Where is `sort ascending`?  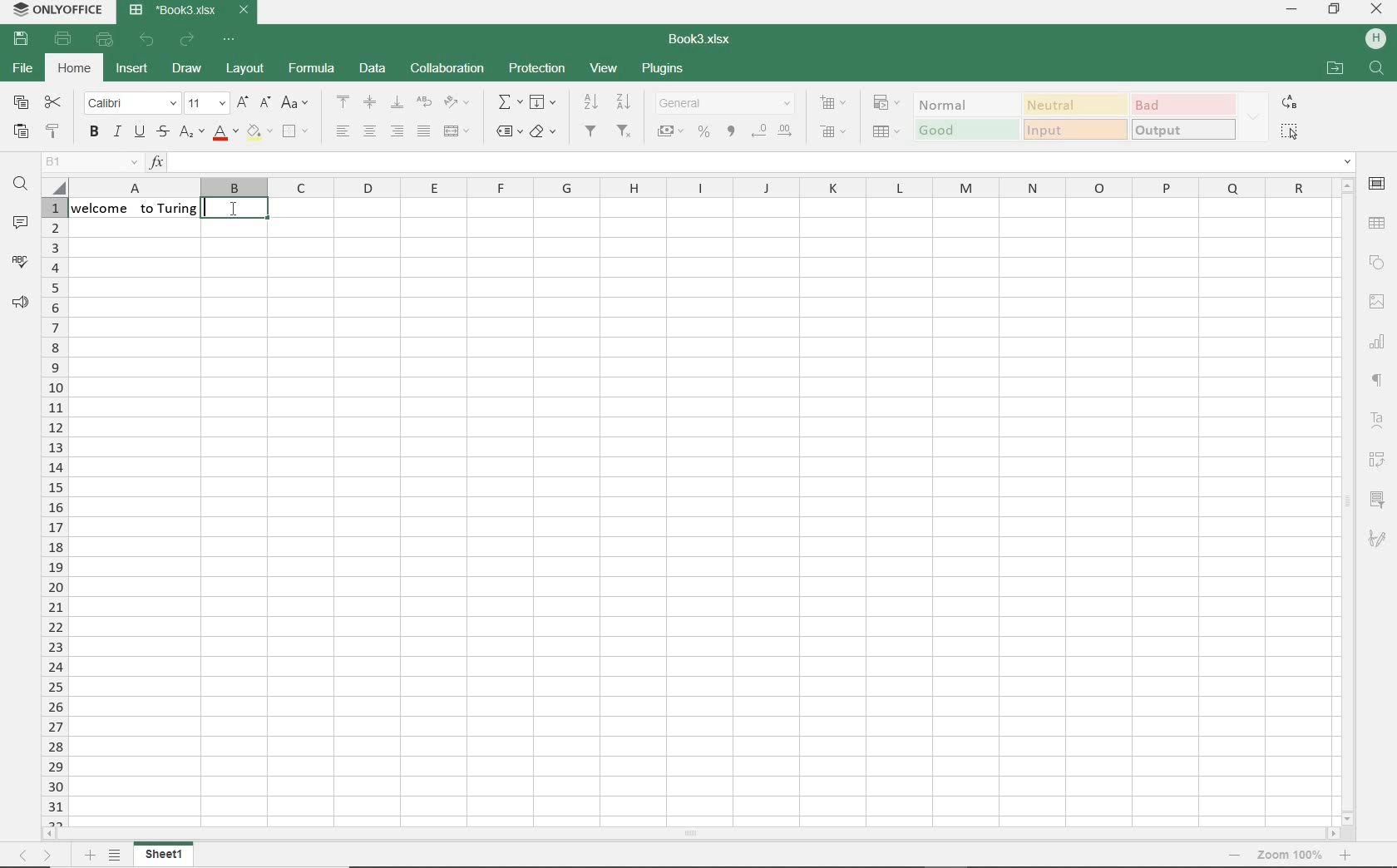
sort ascending is located at coordinates (591, 102).